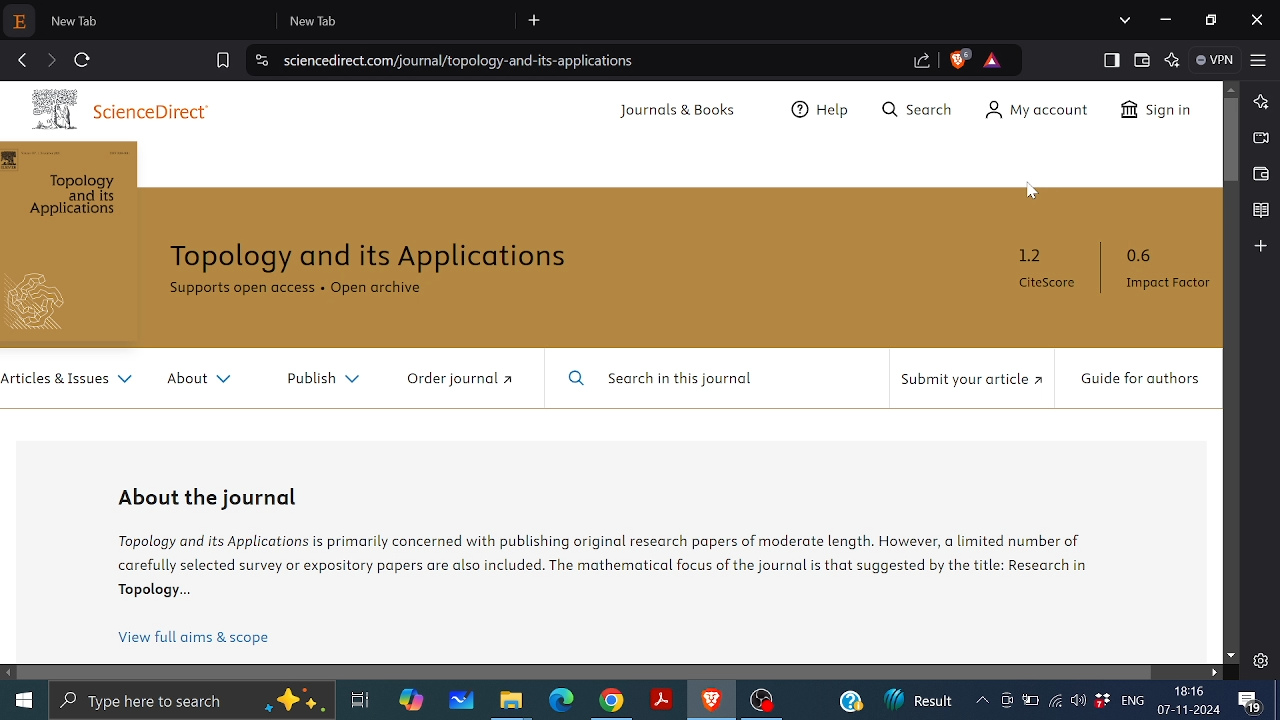  What do you see at coordinates (992, 60) in the screenshot?
I see `Brave rewards` at bounding box center [992, 60].